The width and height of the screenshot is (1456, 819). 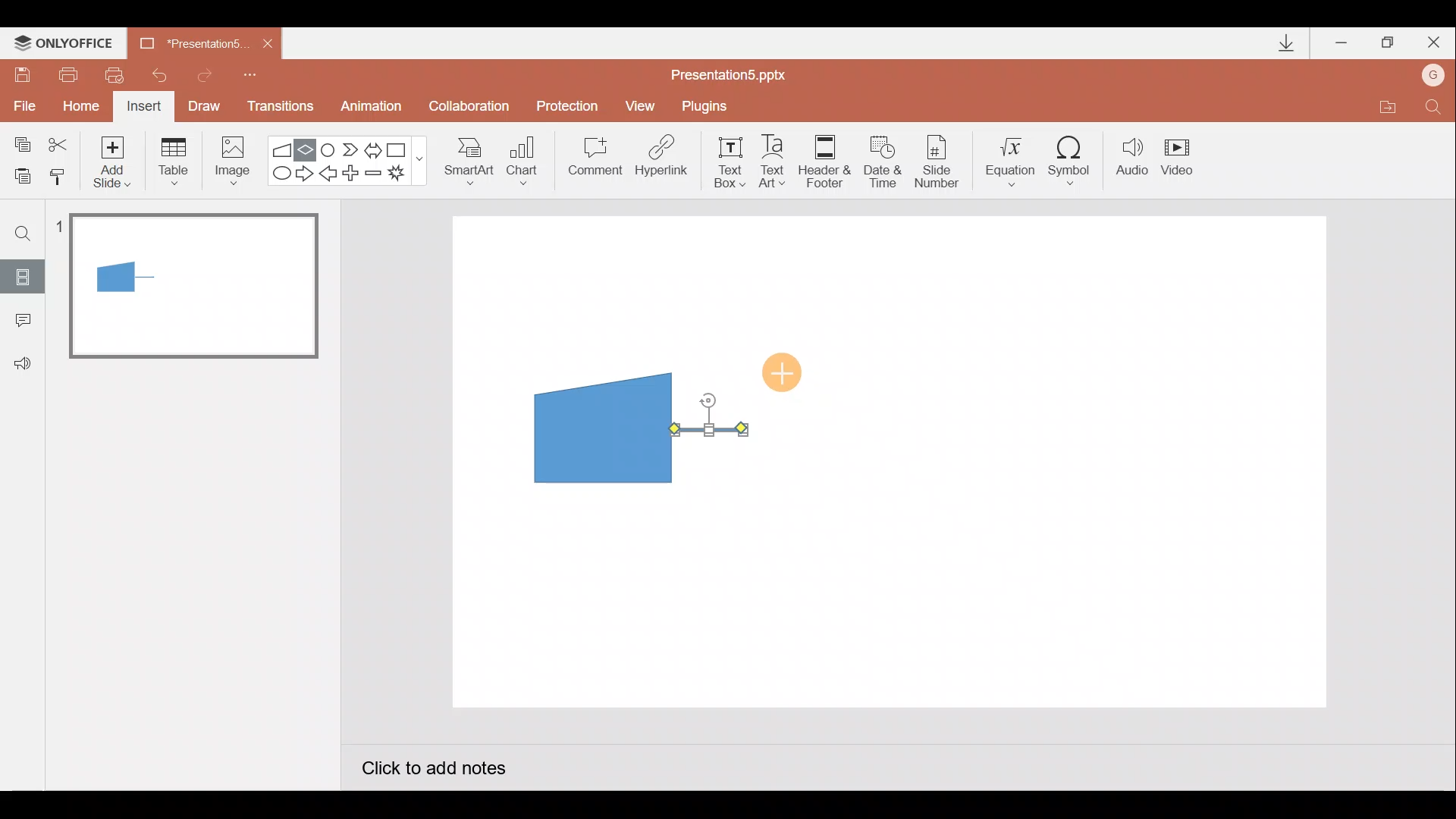 What do you see at coordinates (472, 108) in the screenshot?
I see `Collaboration` at bounding box center [472, 108].